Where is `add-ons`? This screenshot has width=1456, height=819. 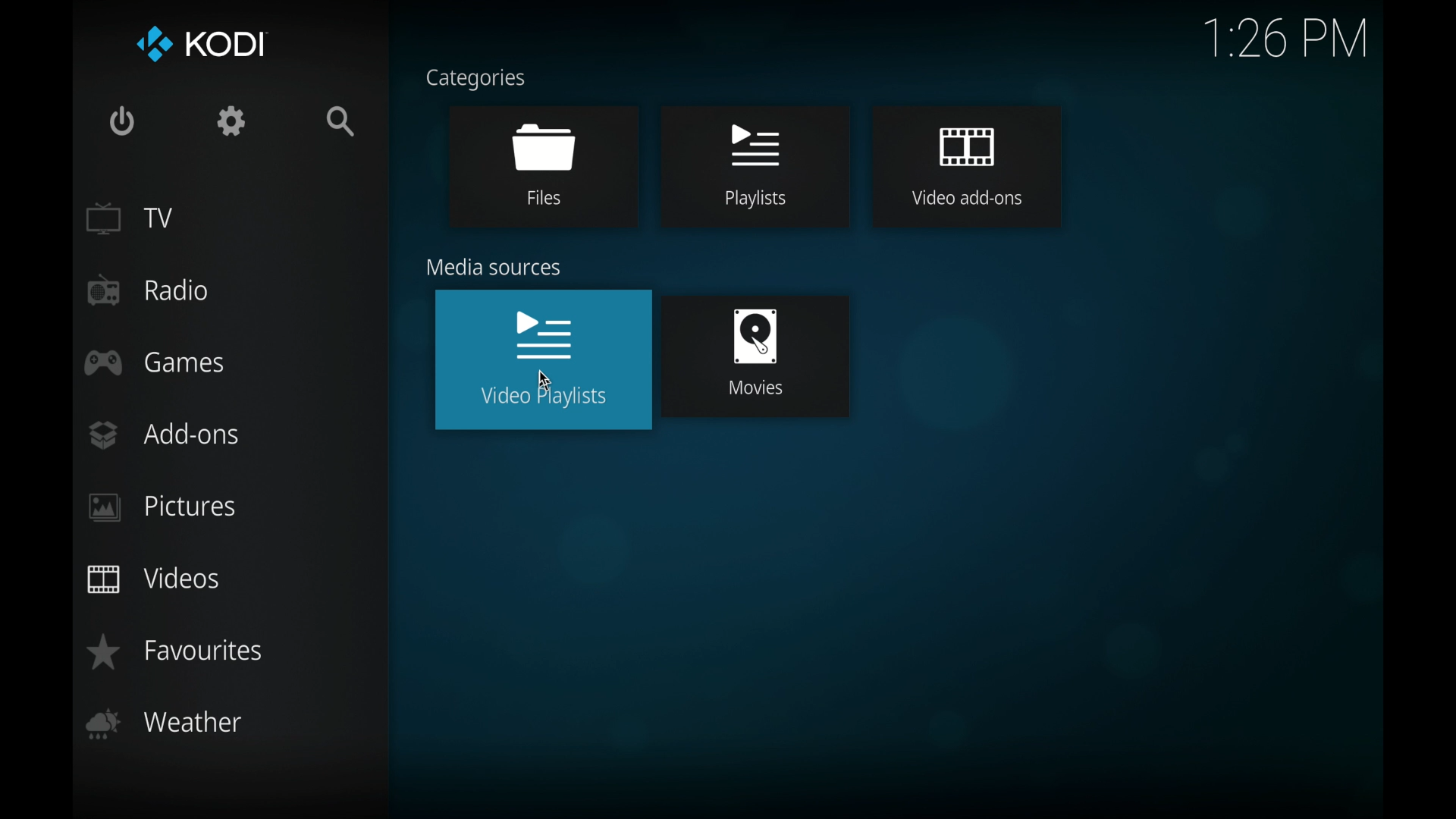 add-ons is located at coordinates (163, 435).